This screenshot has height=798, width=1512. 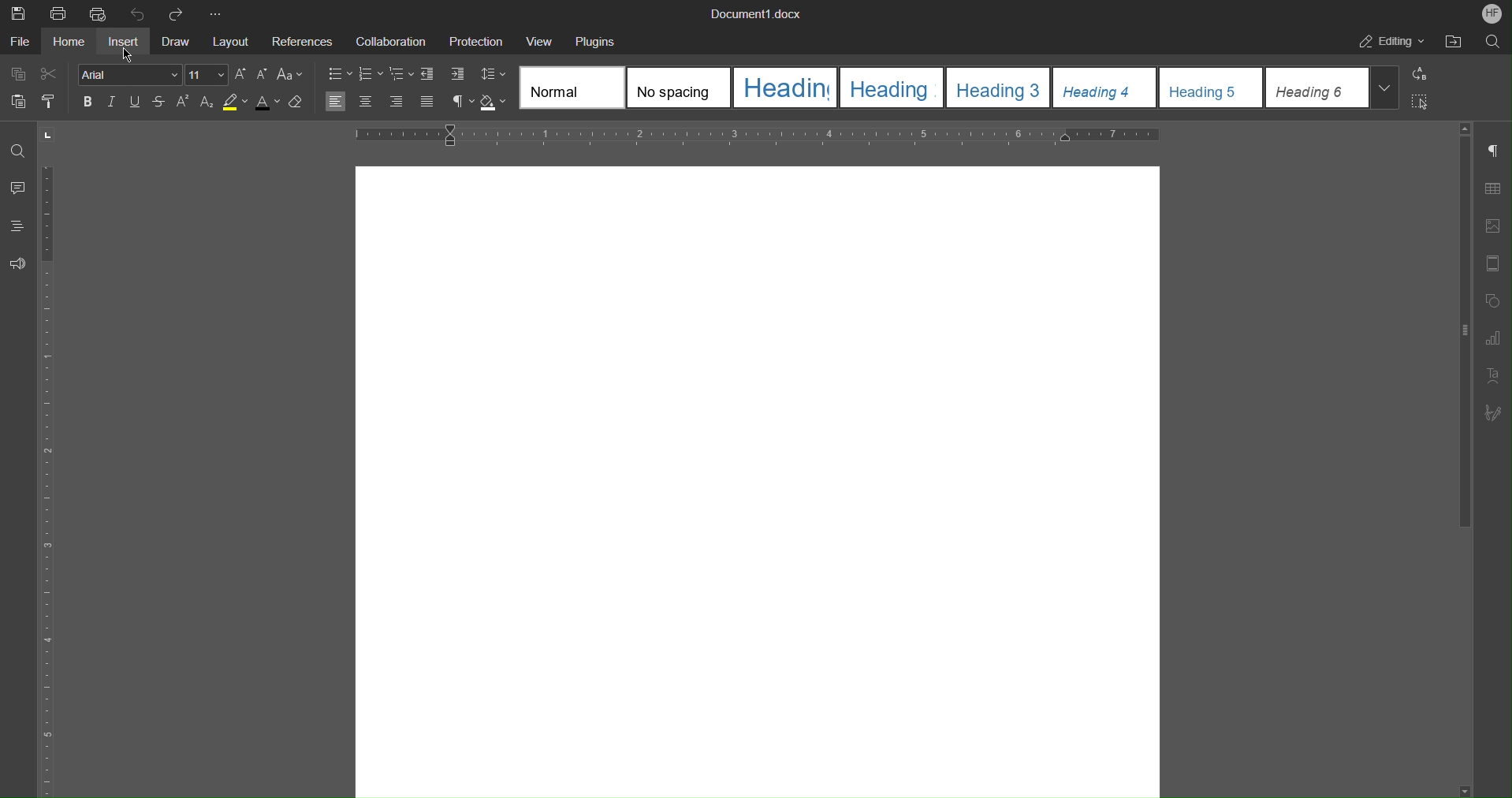 I want to click on Editing, so click(x=1393, y=42).